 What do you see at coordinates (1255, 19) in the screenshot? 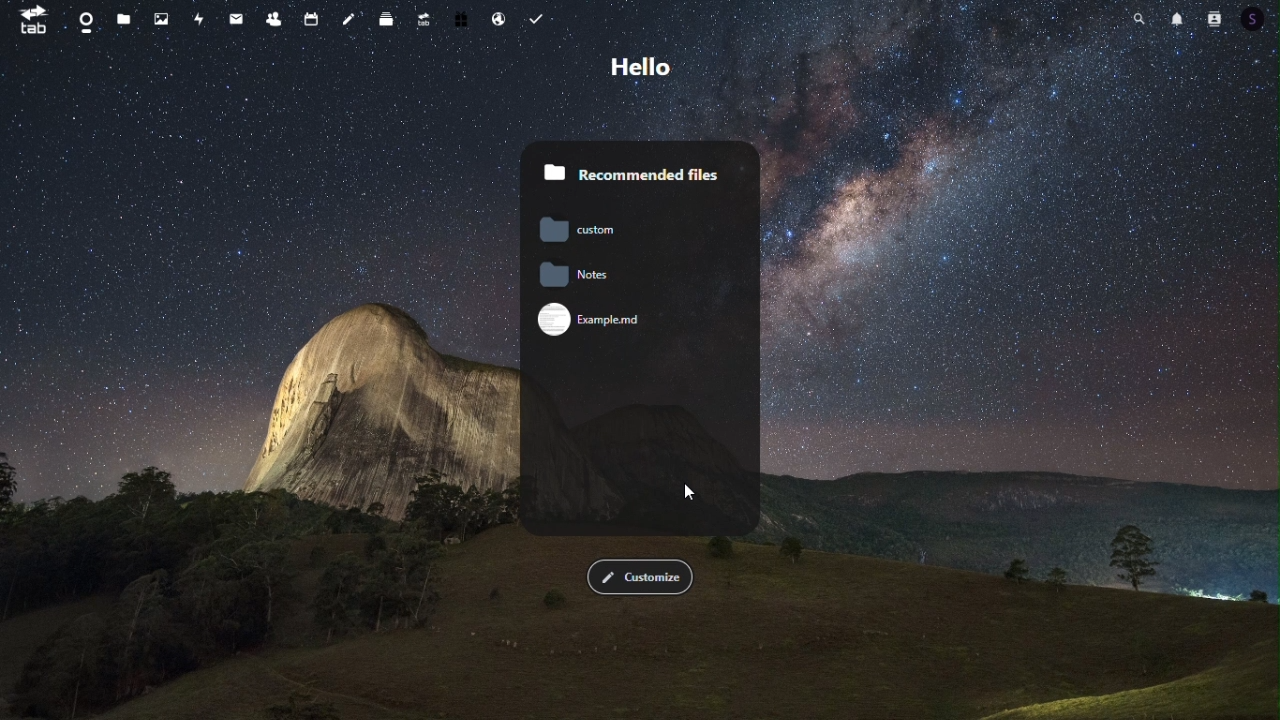
I see `Account icon` at bounding box center [1255, 19].